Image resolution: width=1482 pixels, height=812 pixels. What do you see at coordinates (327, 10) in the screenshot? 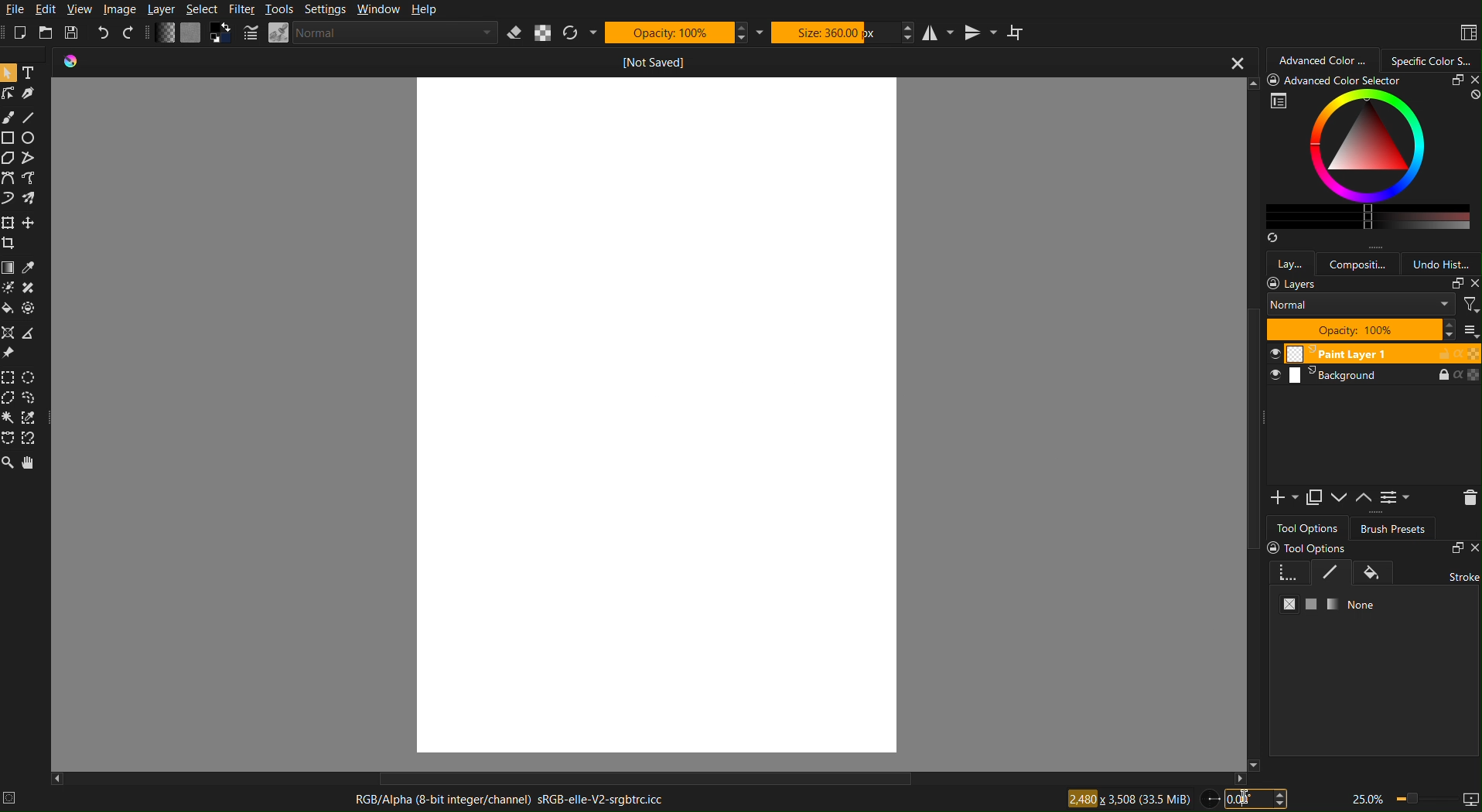
I see `Settings` at bounding box center [327, 10].